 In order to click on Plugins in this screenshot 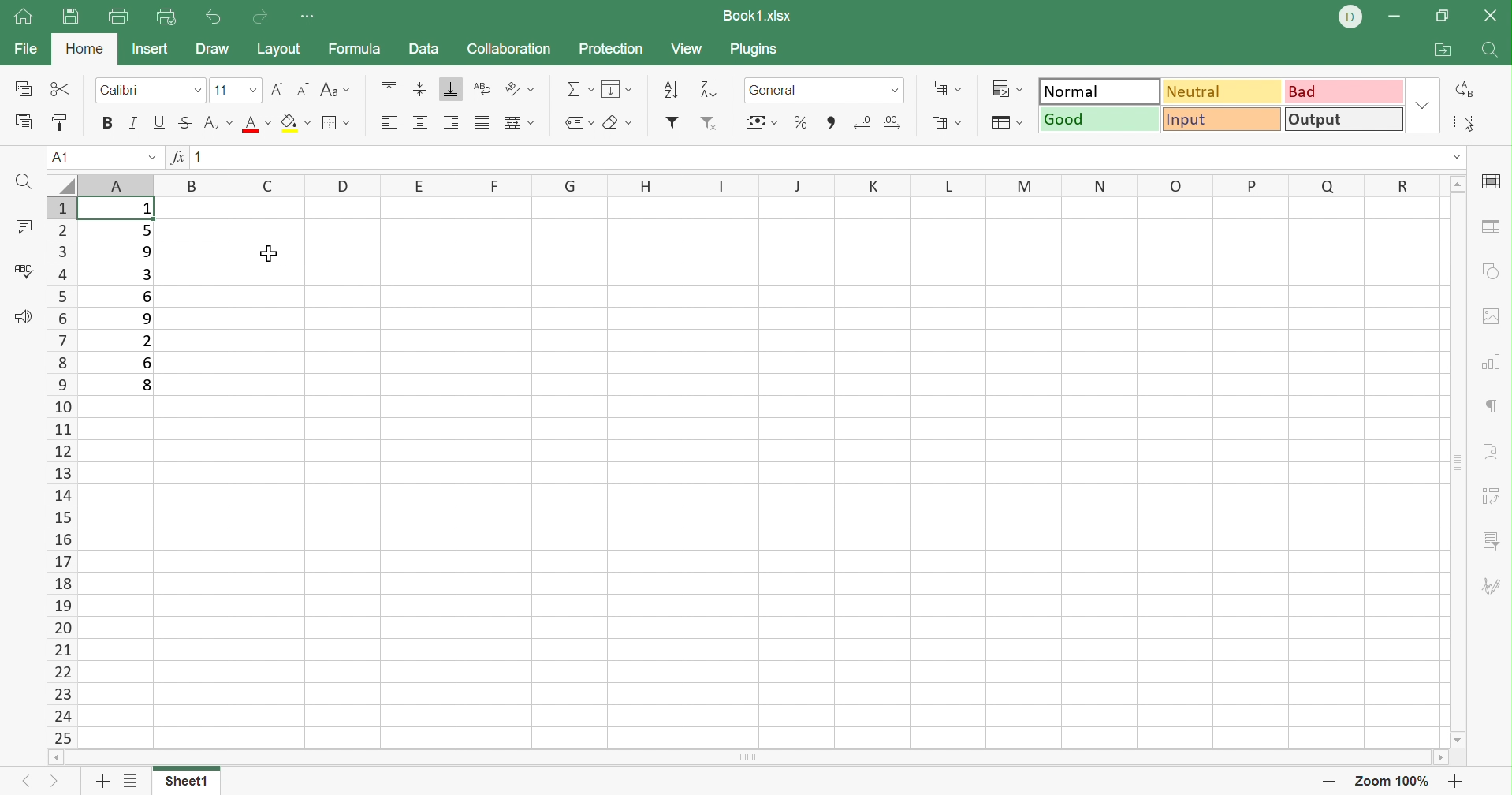, I will do `click(753, 50)`.